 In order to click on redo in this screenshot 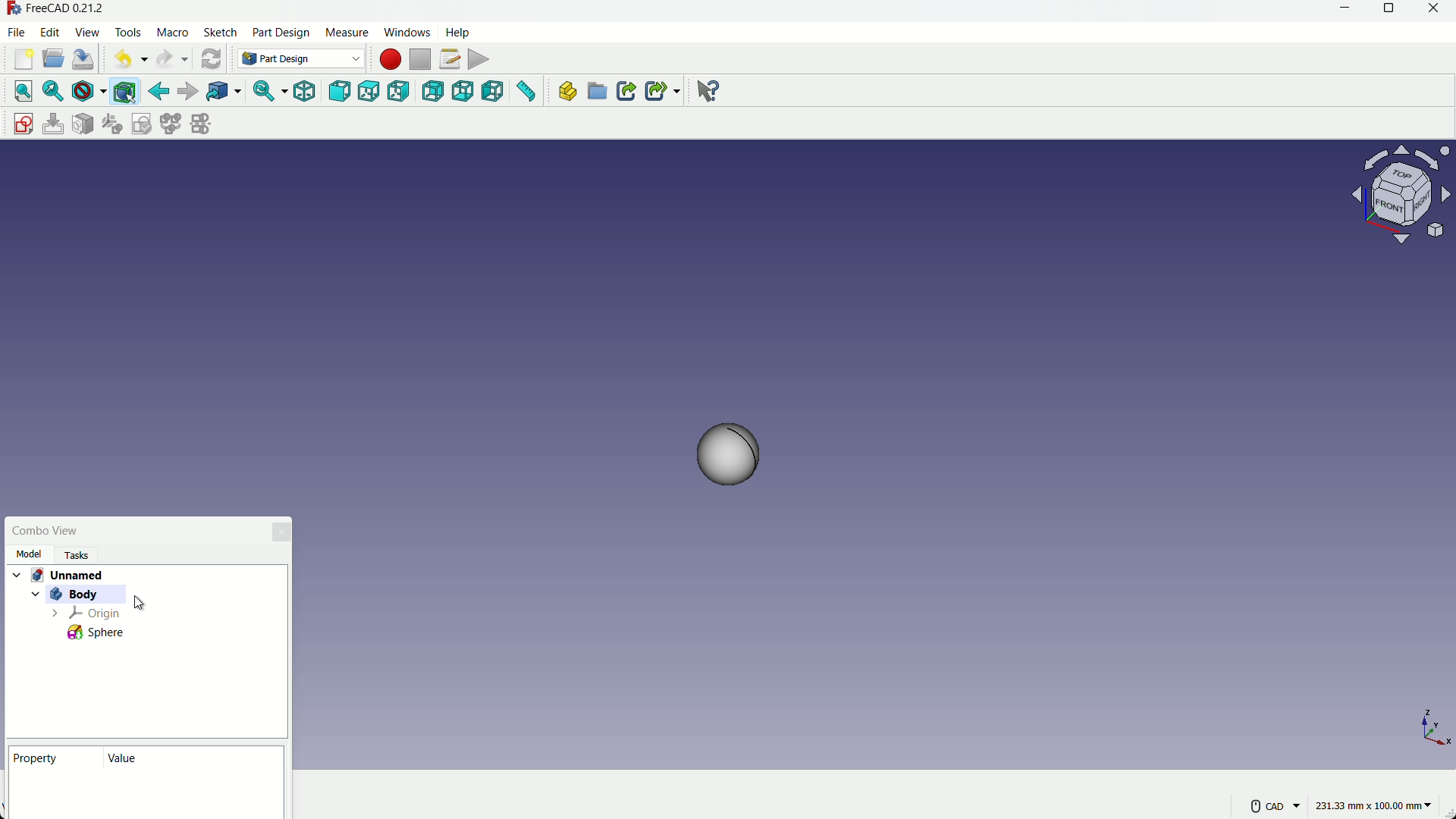, I will do `click(164, 58)`.